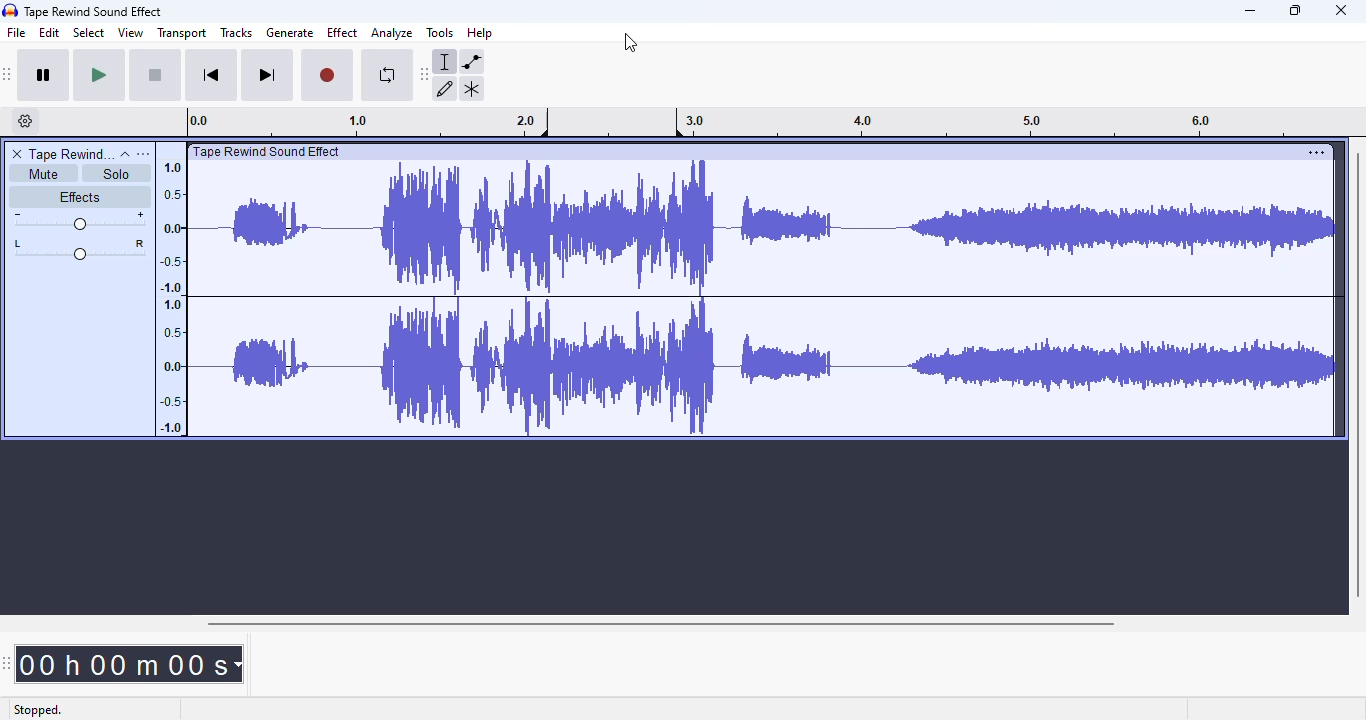  Describe the element at coordinates (17, 153) in the screenshot. I see `delete track` at that location.